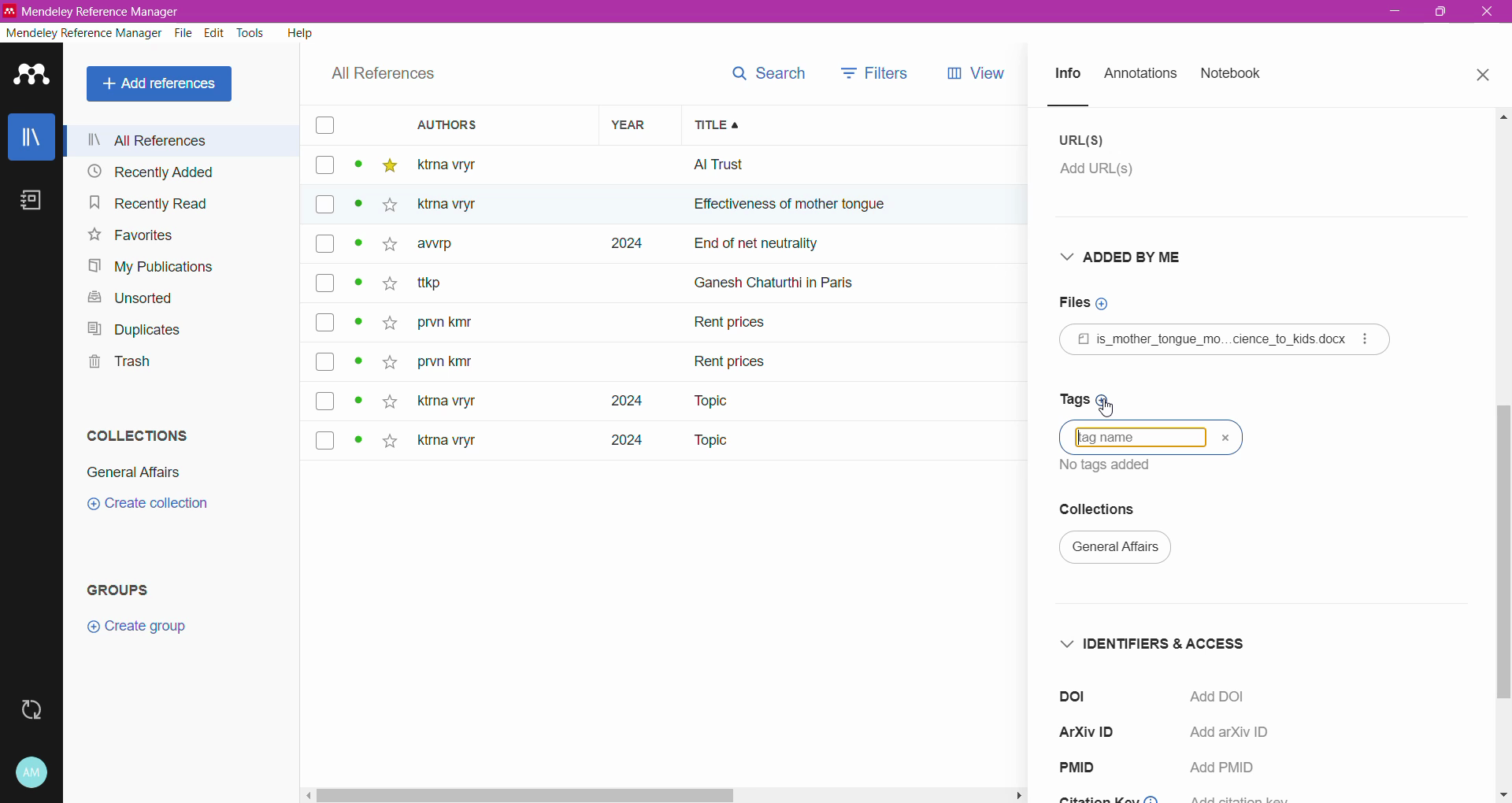 This screenshot has height=803, width=1512. What do you see at coordinates (770, 208) in the screenshot?
I see `effectiveness of mother ton` at bounding box center [770, 208].